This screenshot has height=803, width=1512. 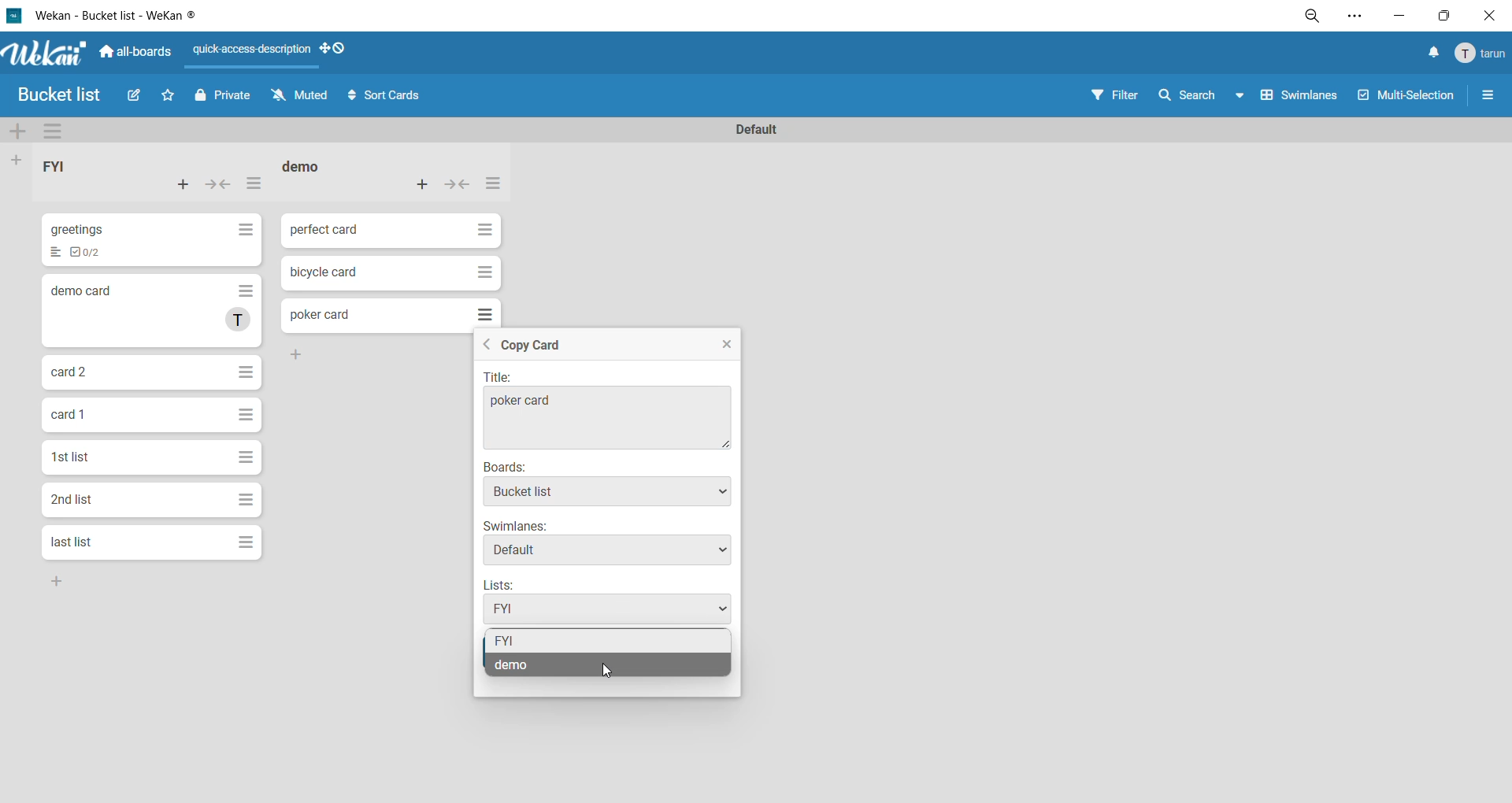 I want to click on last list, so click(x=72, y=542).